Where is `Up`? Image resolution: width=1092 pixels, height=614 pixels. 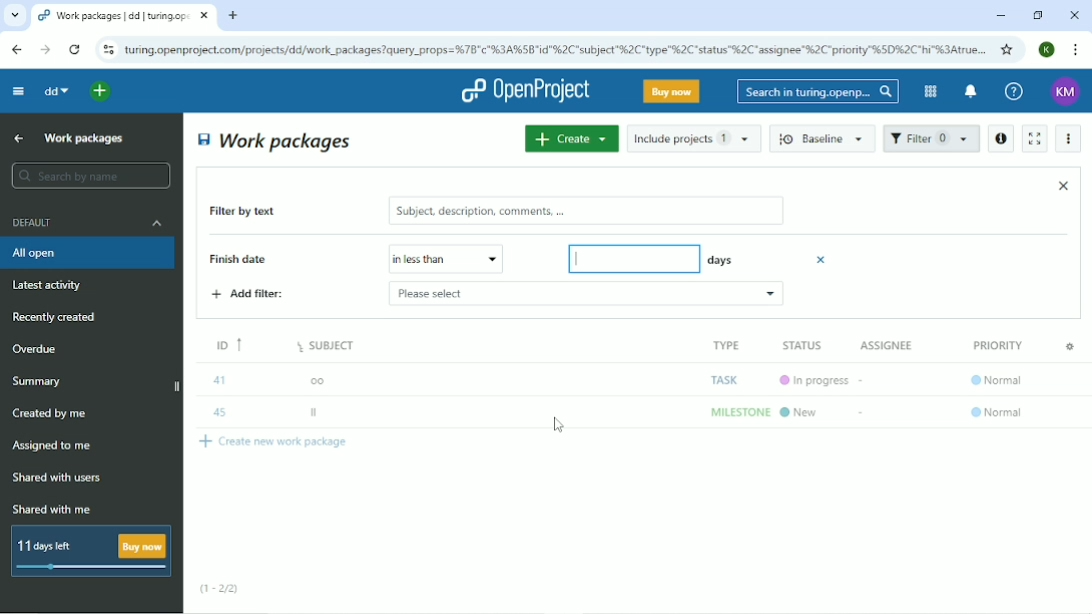
Up is located at coordinates (16, 139).